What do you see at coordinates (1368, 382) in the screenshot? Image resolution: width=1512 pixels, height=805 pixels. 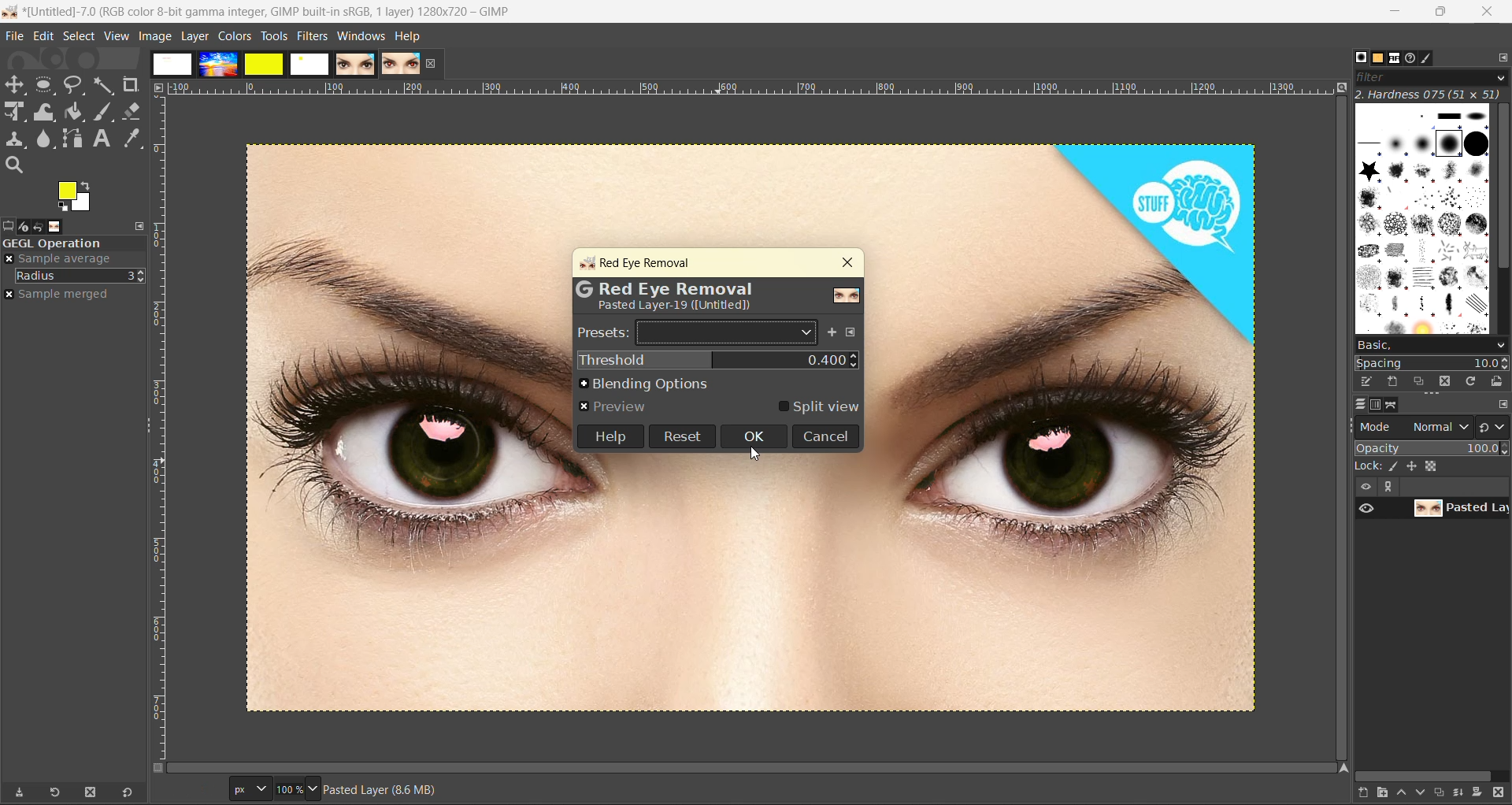 I see `edit brush` at bounding box center [1368, 382].